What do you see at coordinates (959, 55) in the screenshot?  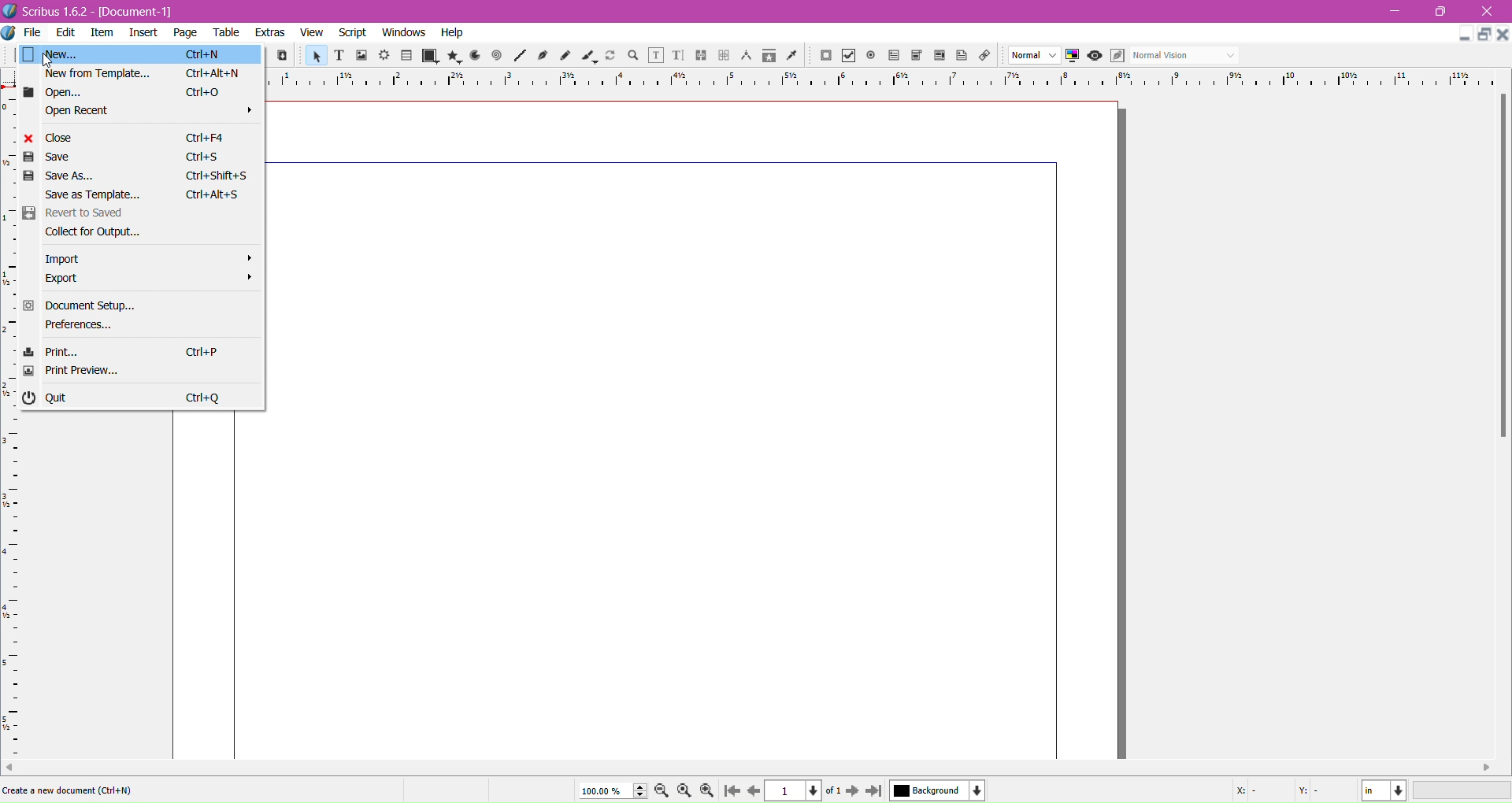 I see `icon` at bounding box center [959, 55].